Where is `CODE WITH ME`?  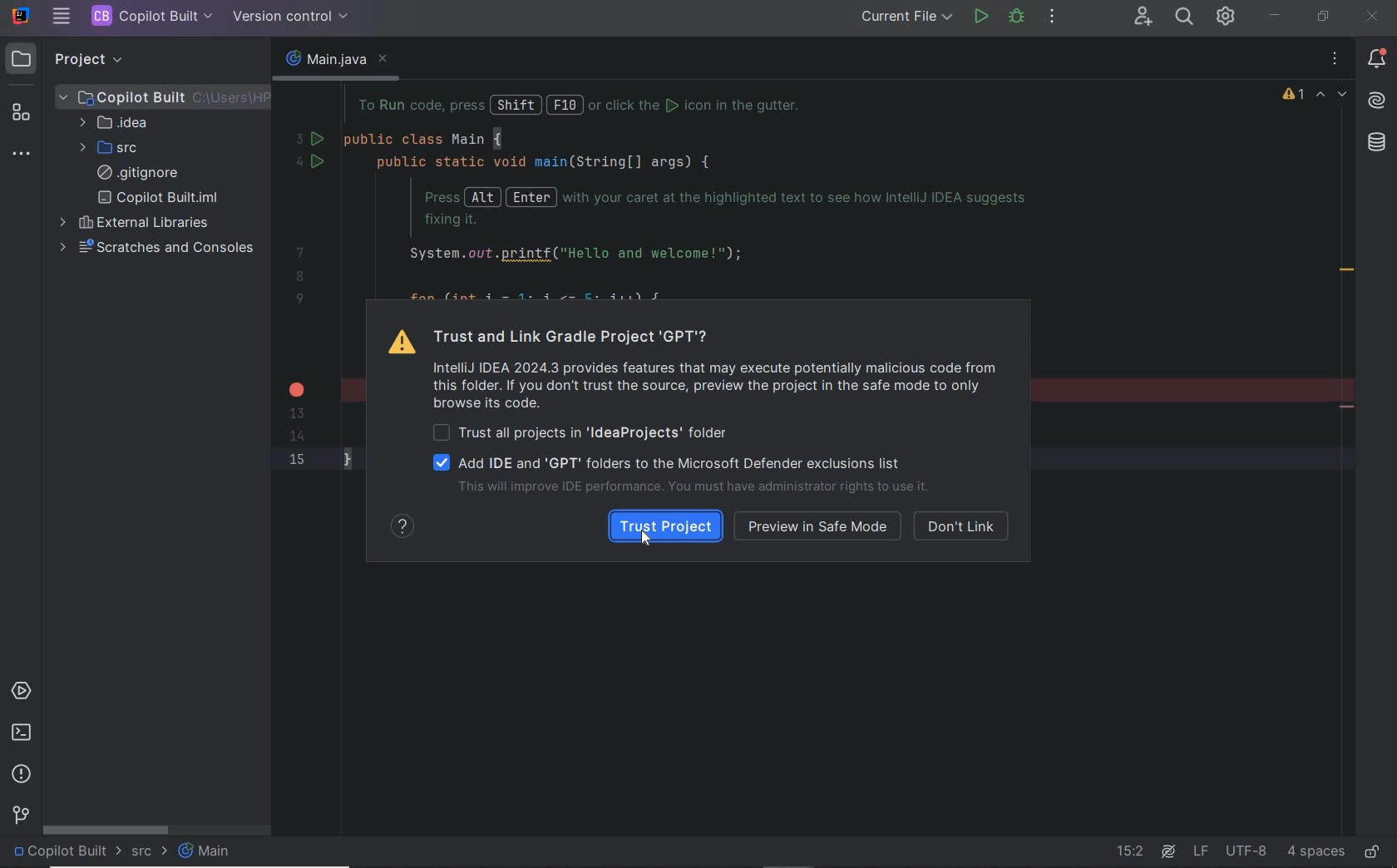 CODE WITH ME is located at coordinates (1143, 18).